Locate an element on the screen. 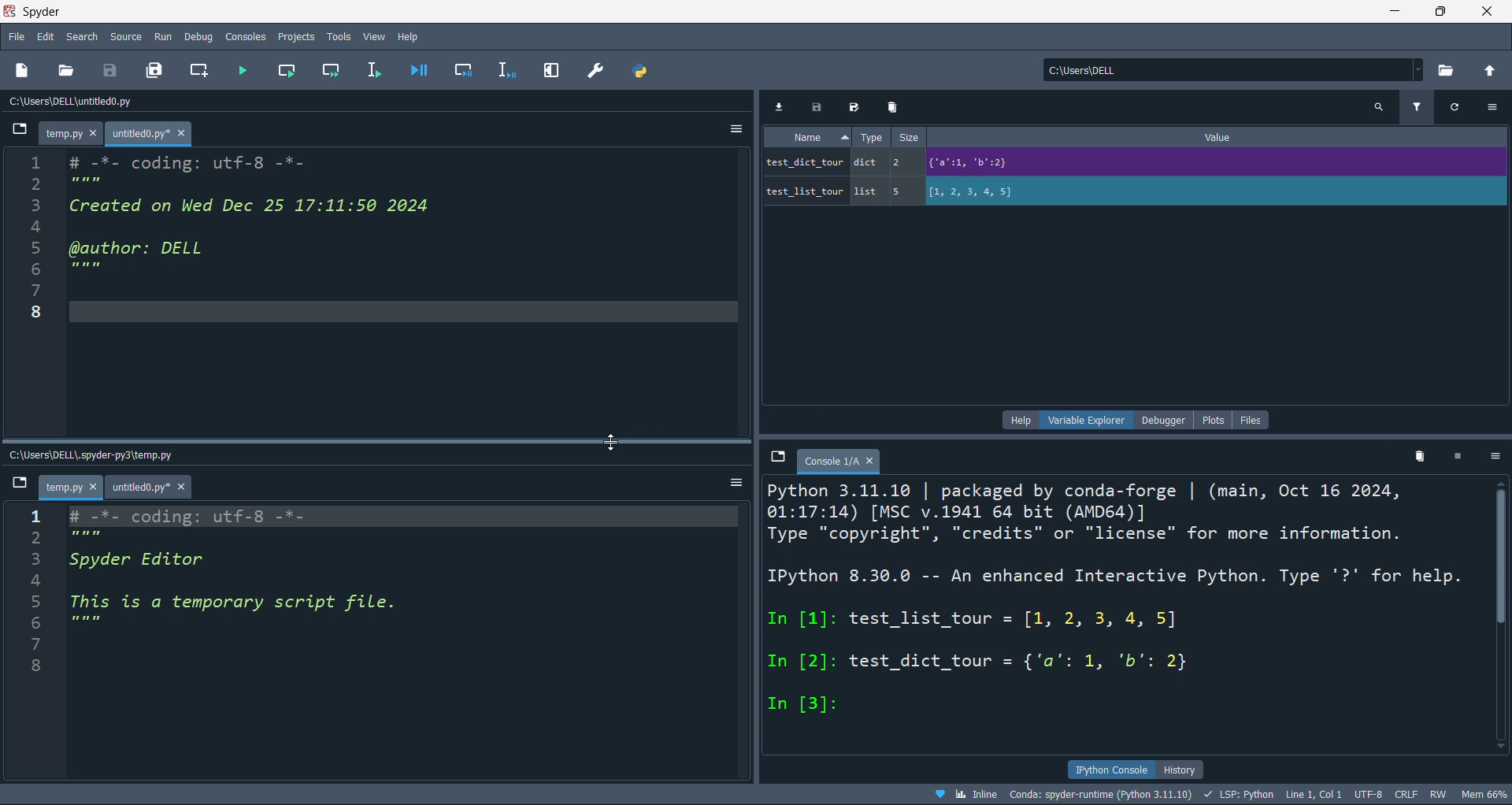  save all files is located at coordinates (155, 70).